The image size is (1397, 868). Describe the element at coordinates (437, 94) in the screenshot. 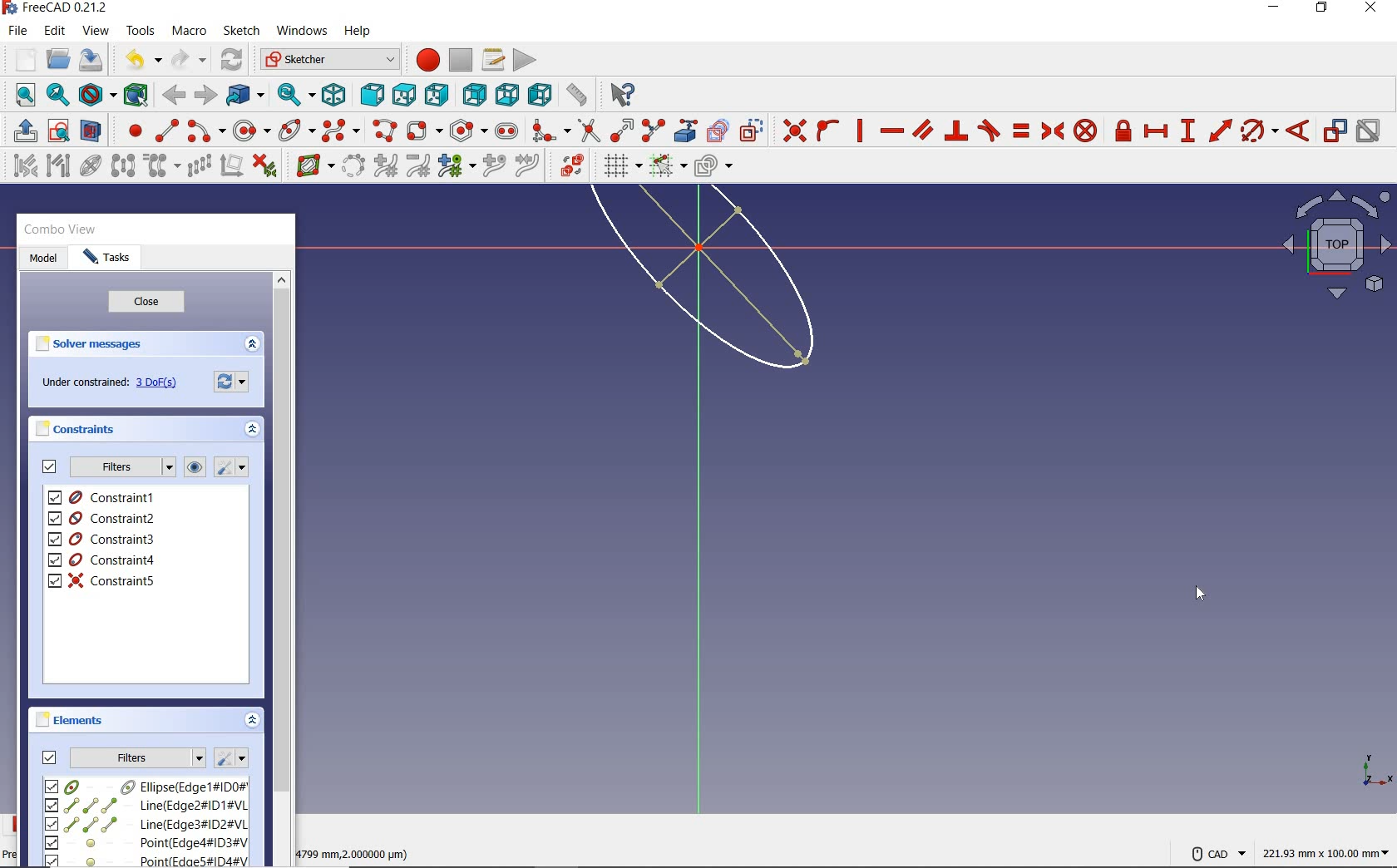

I see `right` at that location.